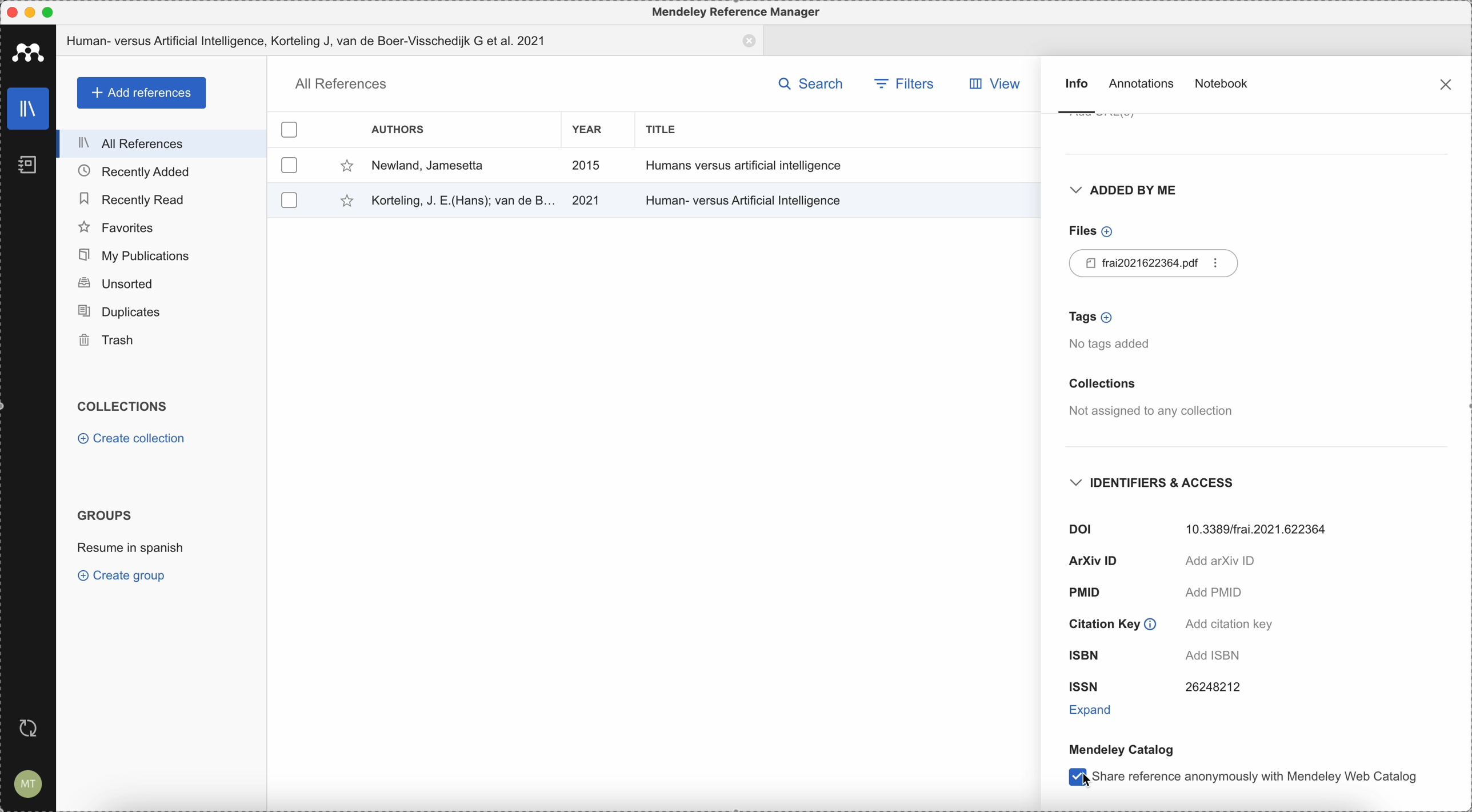 This screenshot has width=1472, height=812. I want to click on library, so click(29, 109).